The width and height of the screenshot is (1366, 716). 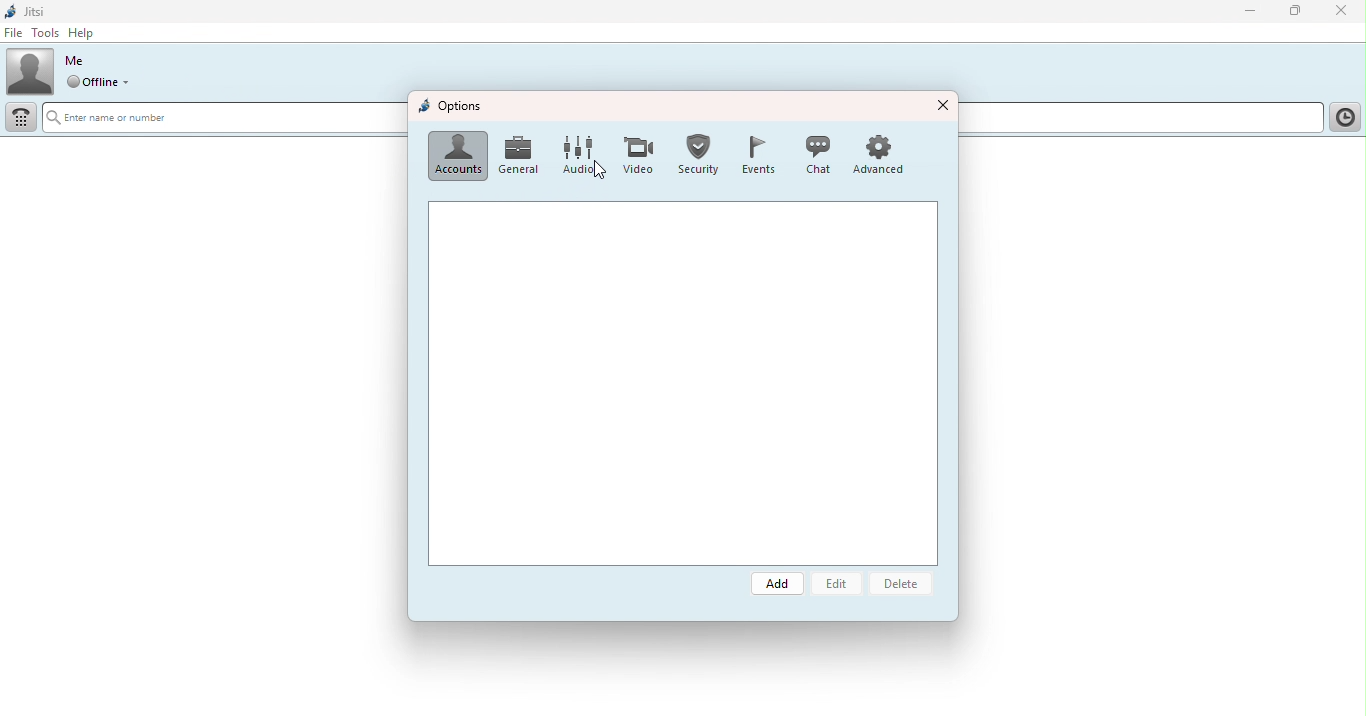 I want to click on General, so click(x=520, y=156).